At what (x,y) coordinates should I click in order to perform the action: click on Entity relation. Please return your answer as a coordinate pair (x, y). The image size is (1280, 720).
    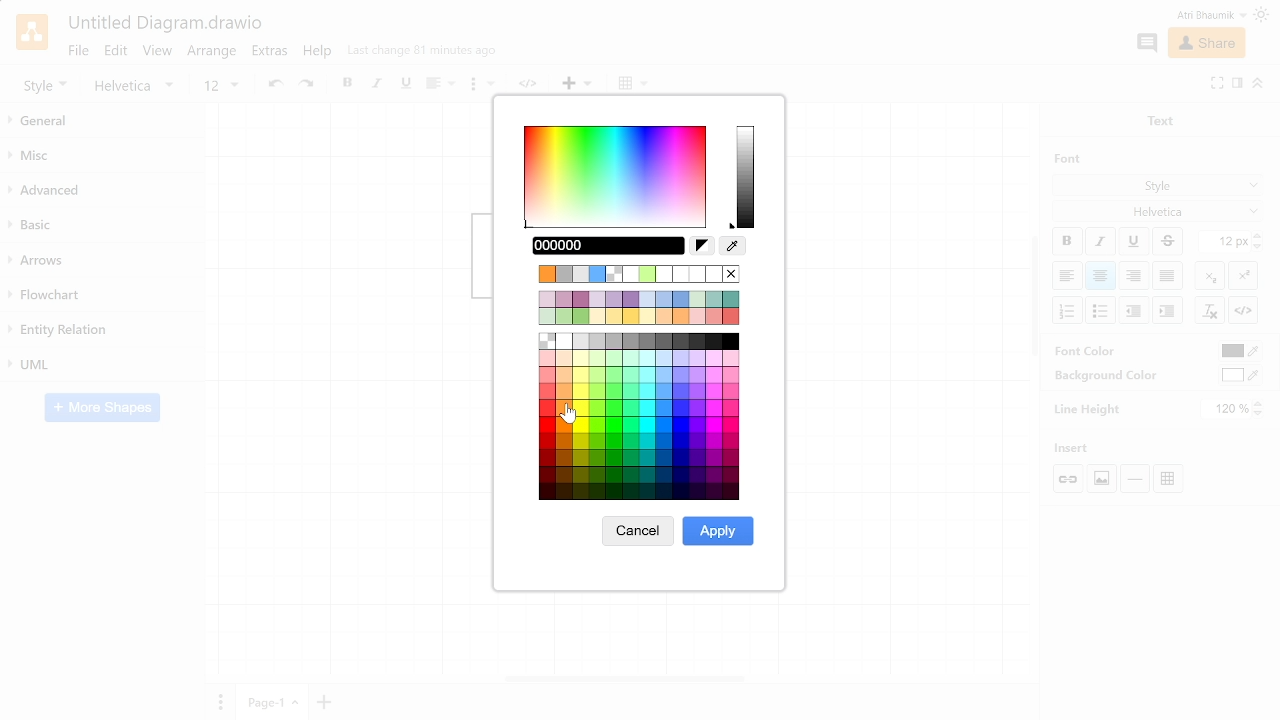
    Looking at the image, I should click on (100, 330).